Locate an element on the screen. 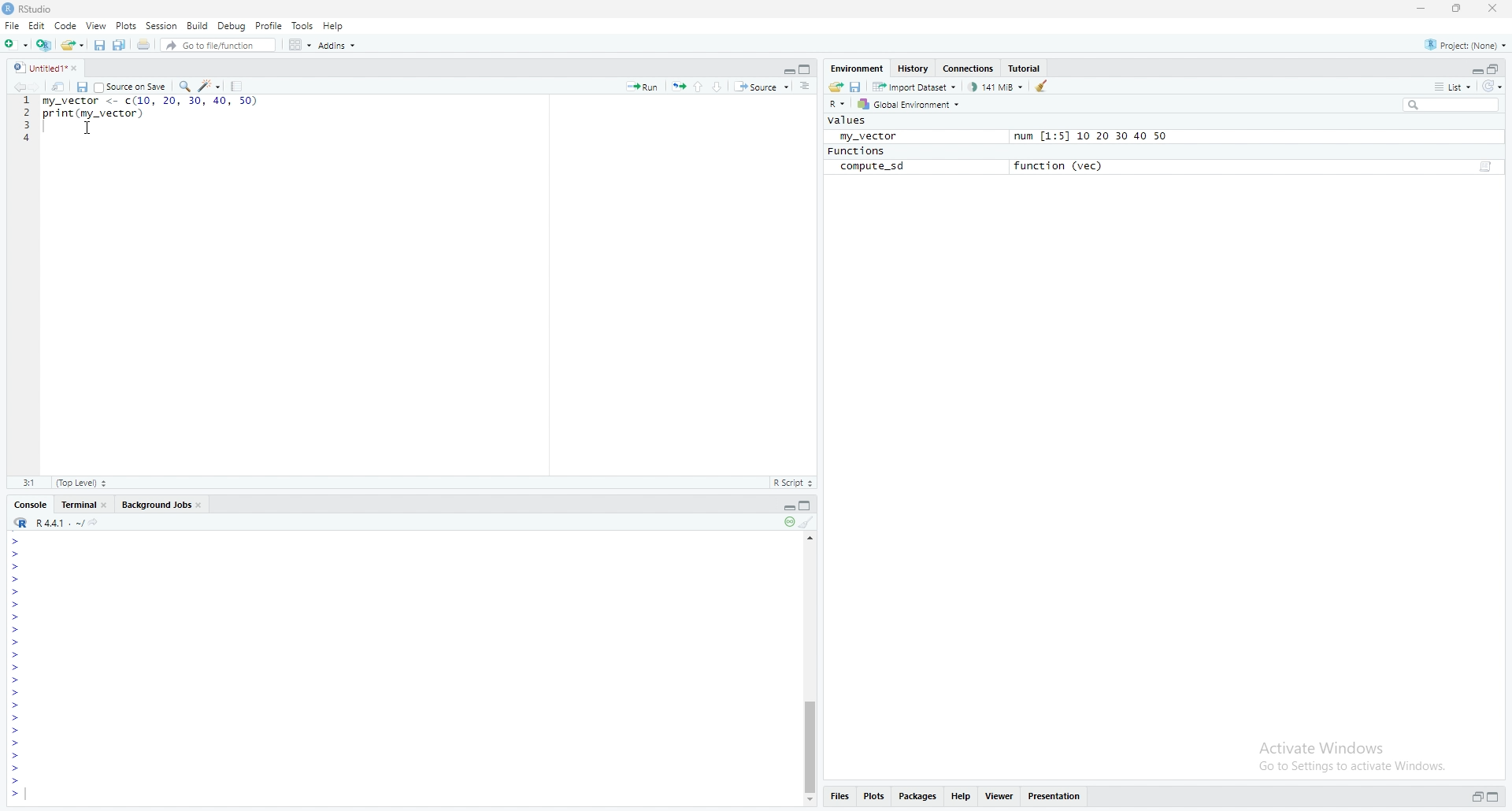 The image size is (1512, 811). Console is located at coordinates (29, 505).